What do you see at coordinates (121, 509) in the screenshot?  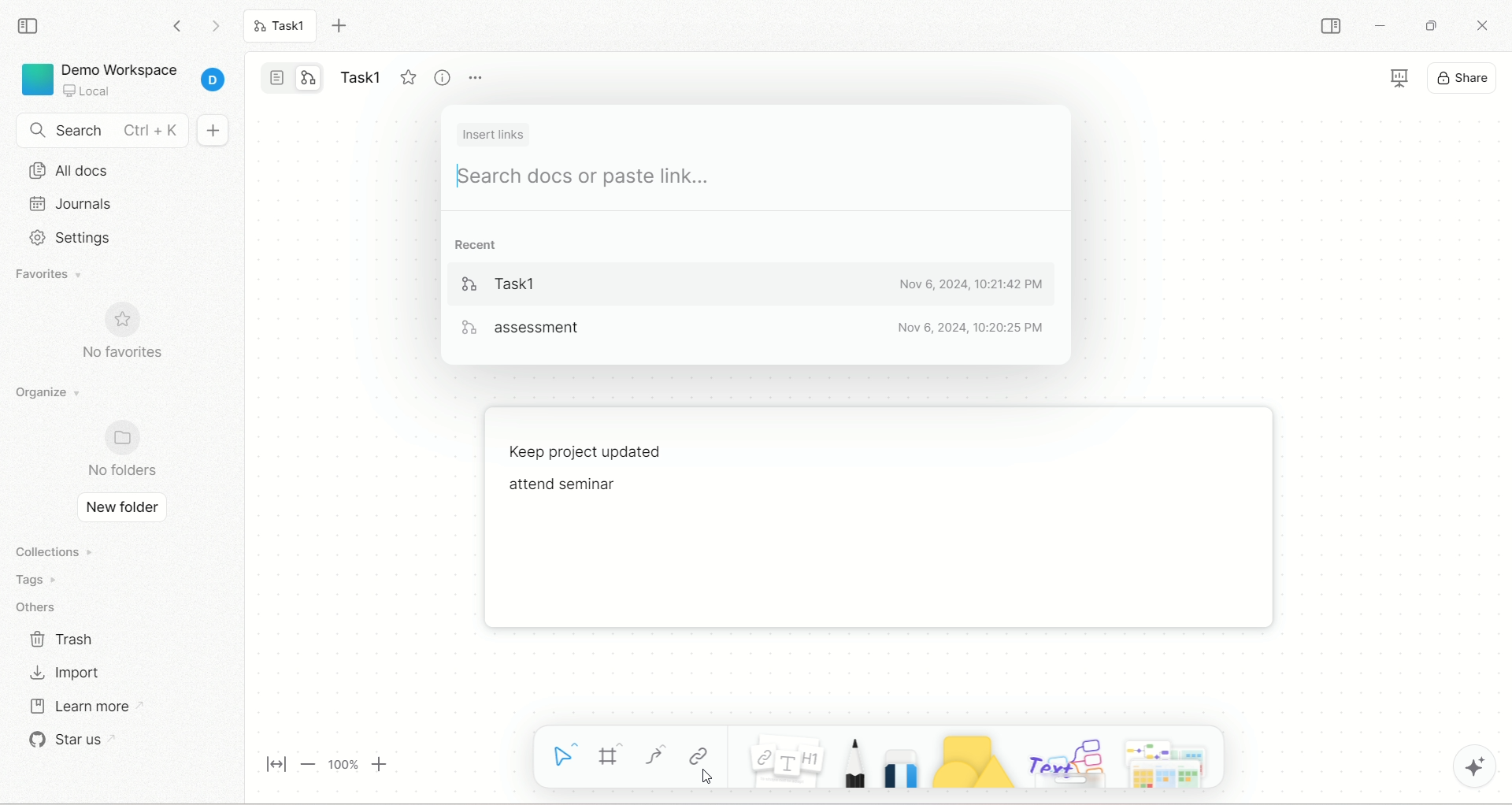 I see `new folder` at bounding box center [121, 509].